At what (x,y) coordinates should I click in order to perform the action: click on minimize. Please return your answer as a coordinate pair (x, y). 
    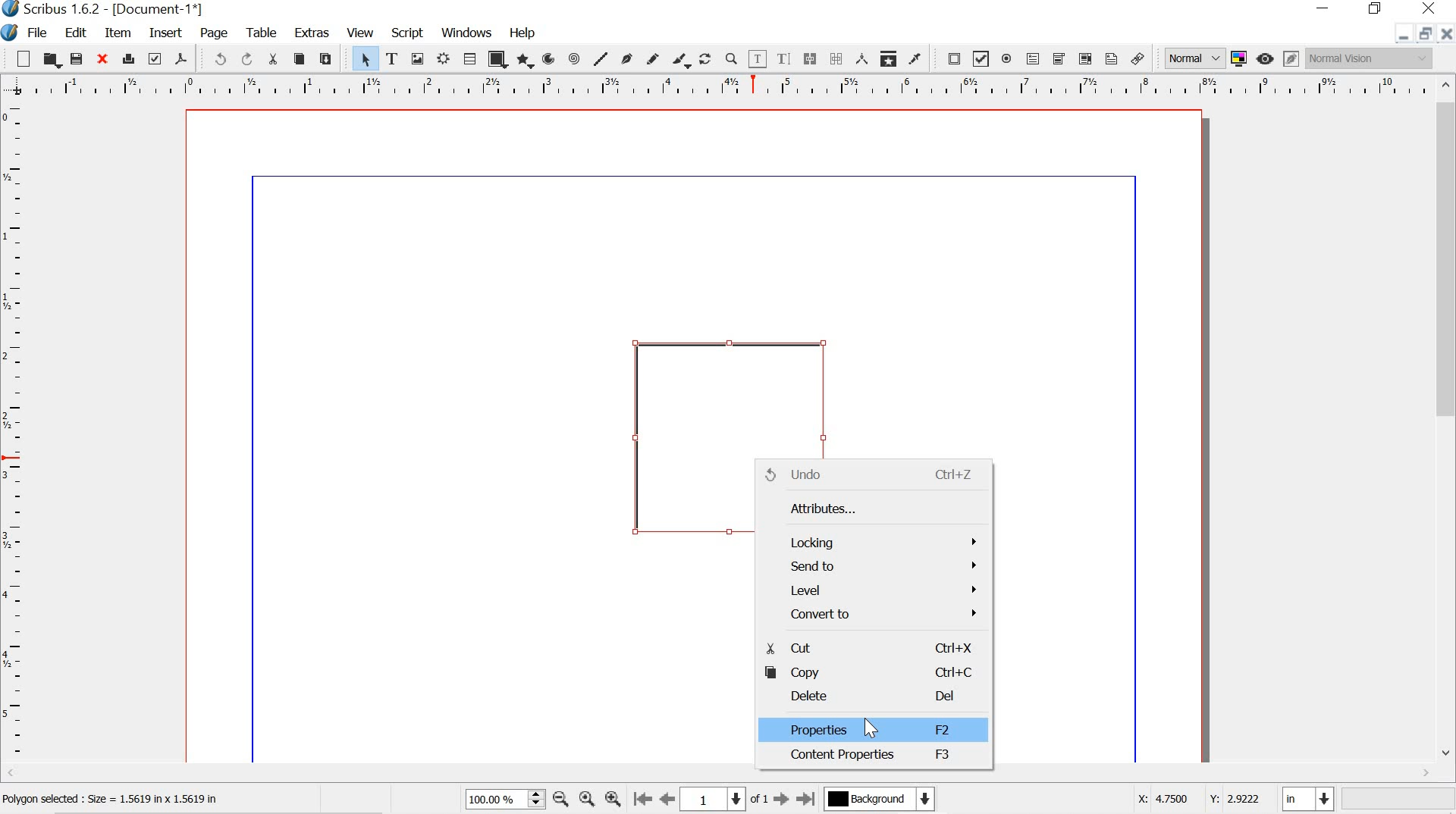
    Looking at the image, I should click on (1325, 9).